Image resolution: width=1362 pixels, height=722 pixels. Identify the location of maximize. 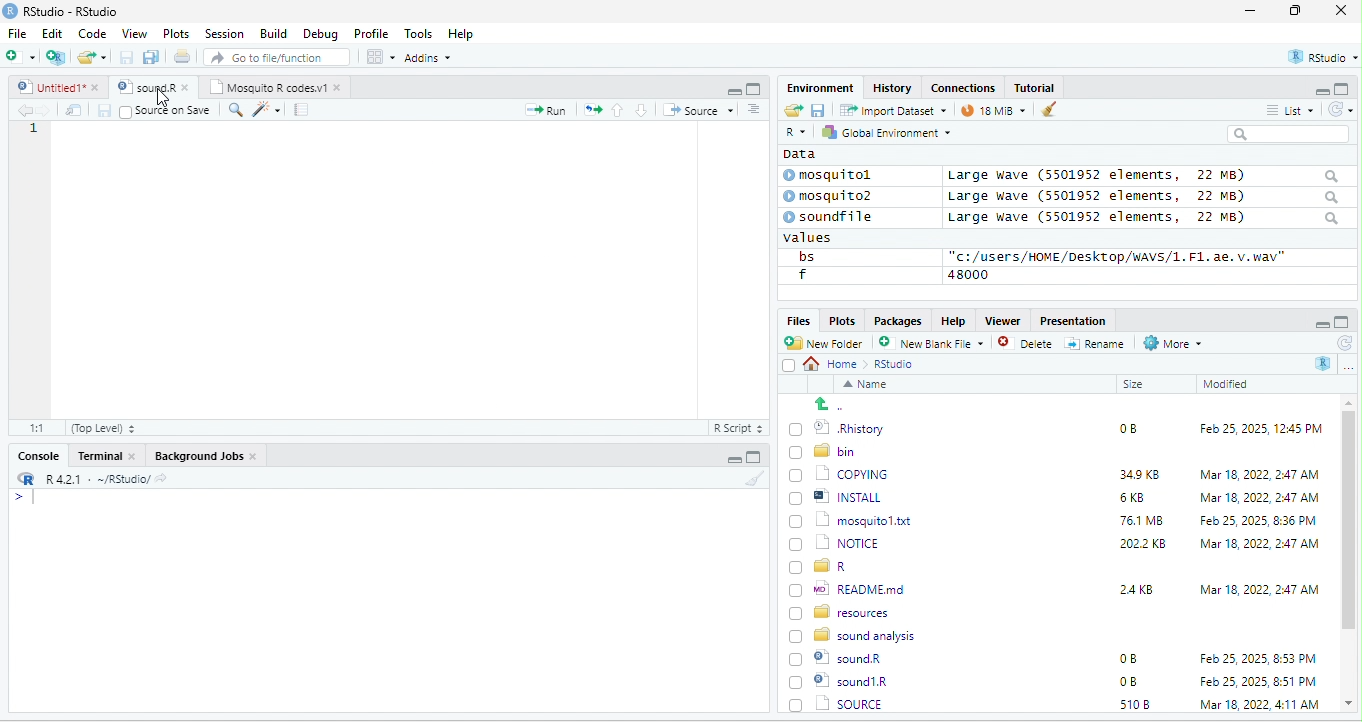
(1299, 12).